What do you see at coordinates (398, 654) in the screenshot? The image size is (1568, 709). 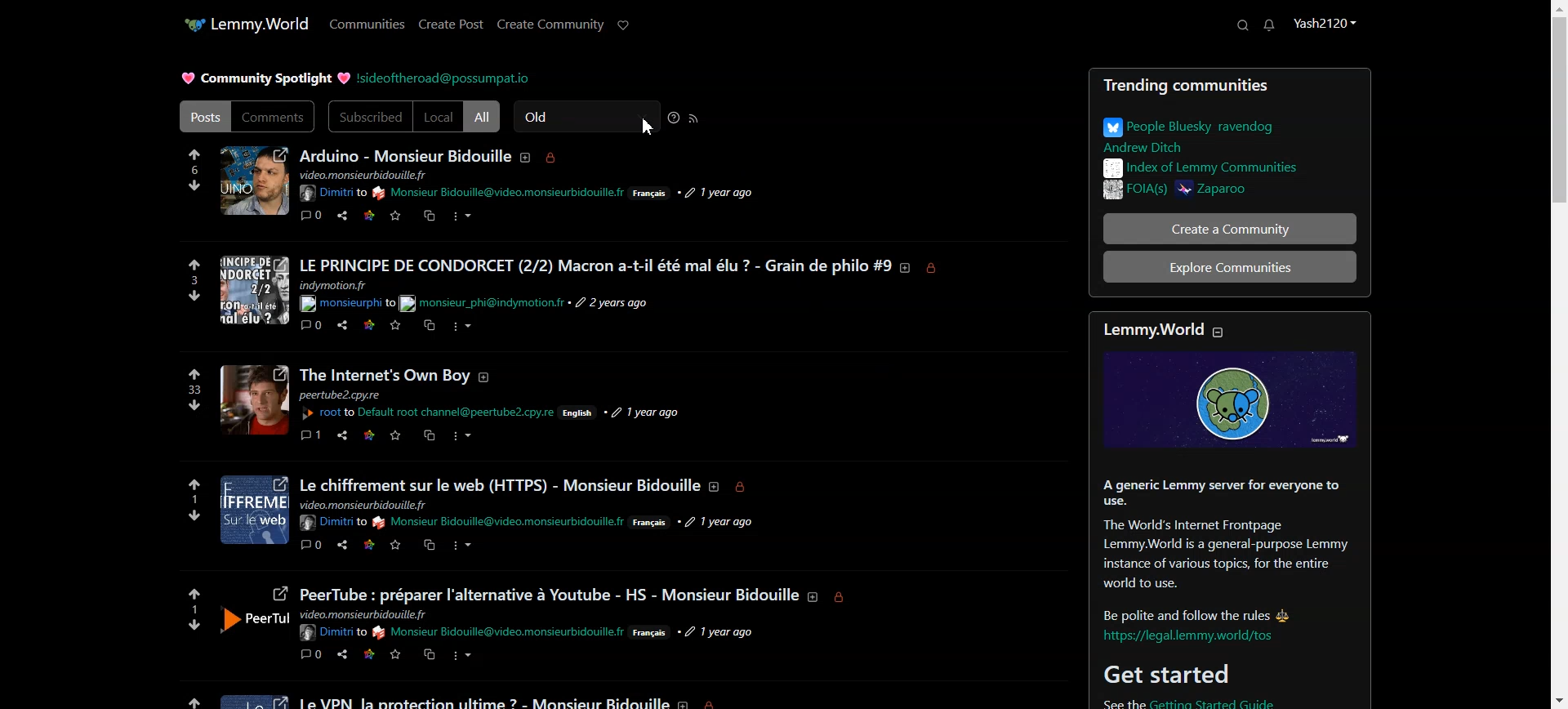 I see `save` at bounding box center [398, 654].